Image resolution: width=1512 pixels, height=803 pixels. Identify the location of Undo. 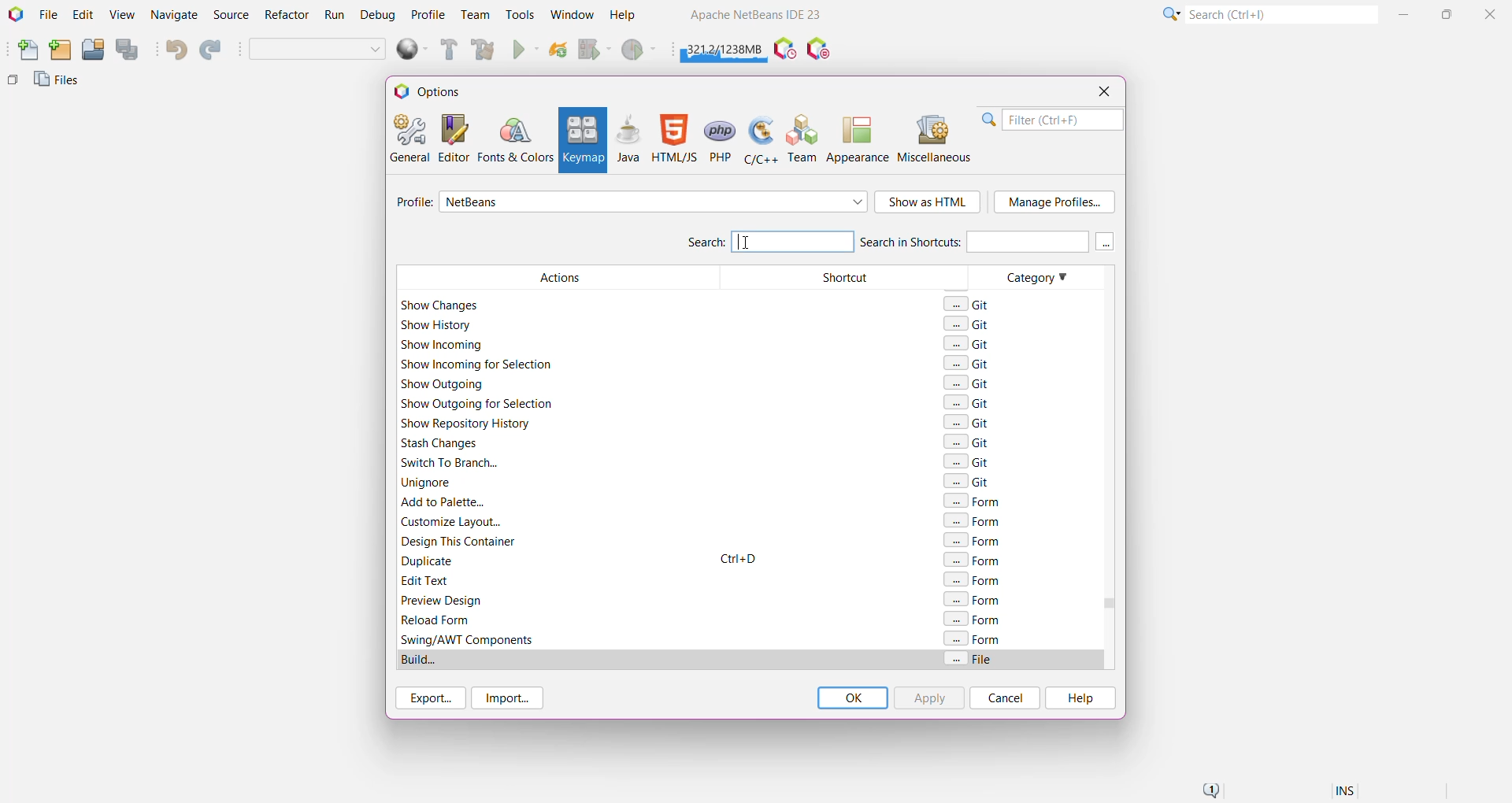
(175, 50).